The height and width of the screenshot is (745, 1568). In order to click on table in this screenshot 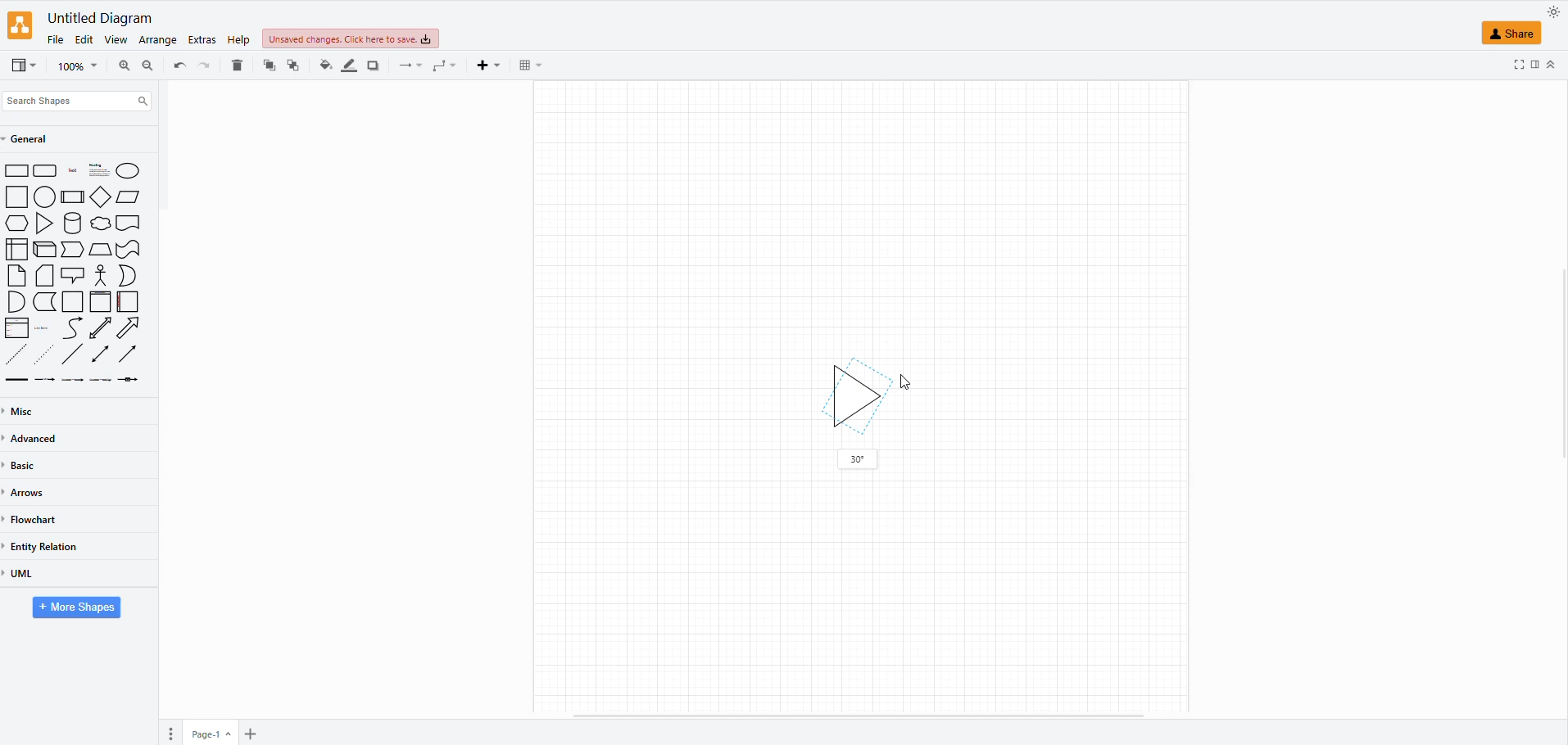, I will do `click(528, 65)`.